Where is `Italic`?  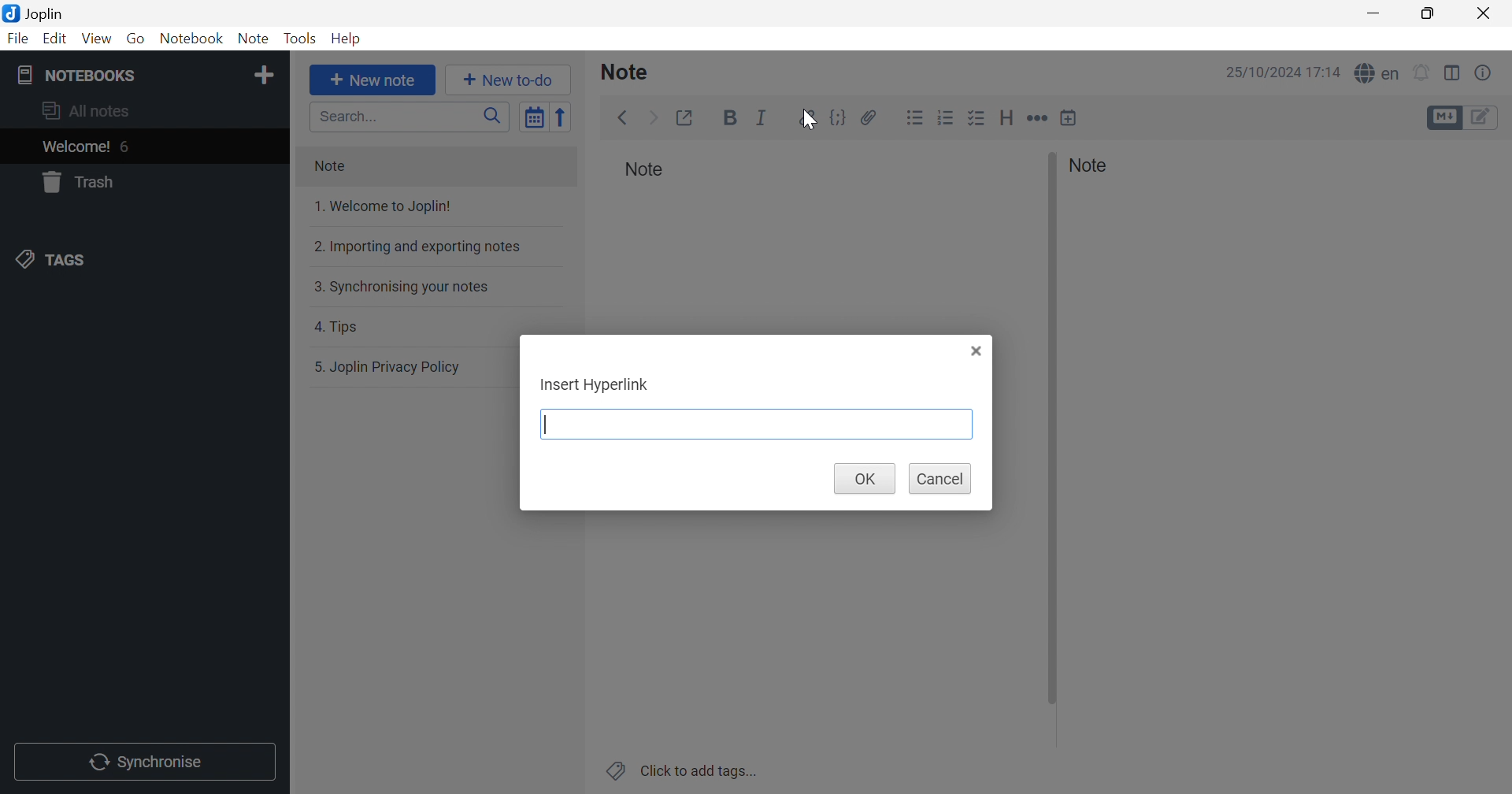
Italic is located at coordinates (762, 116).